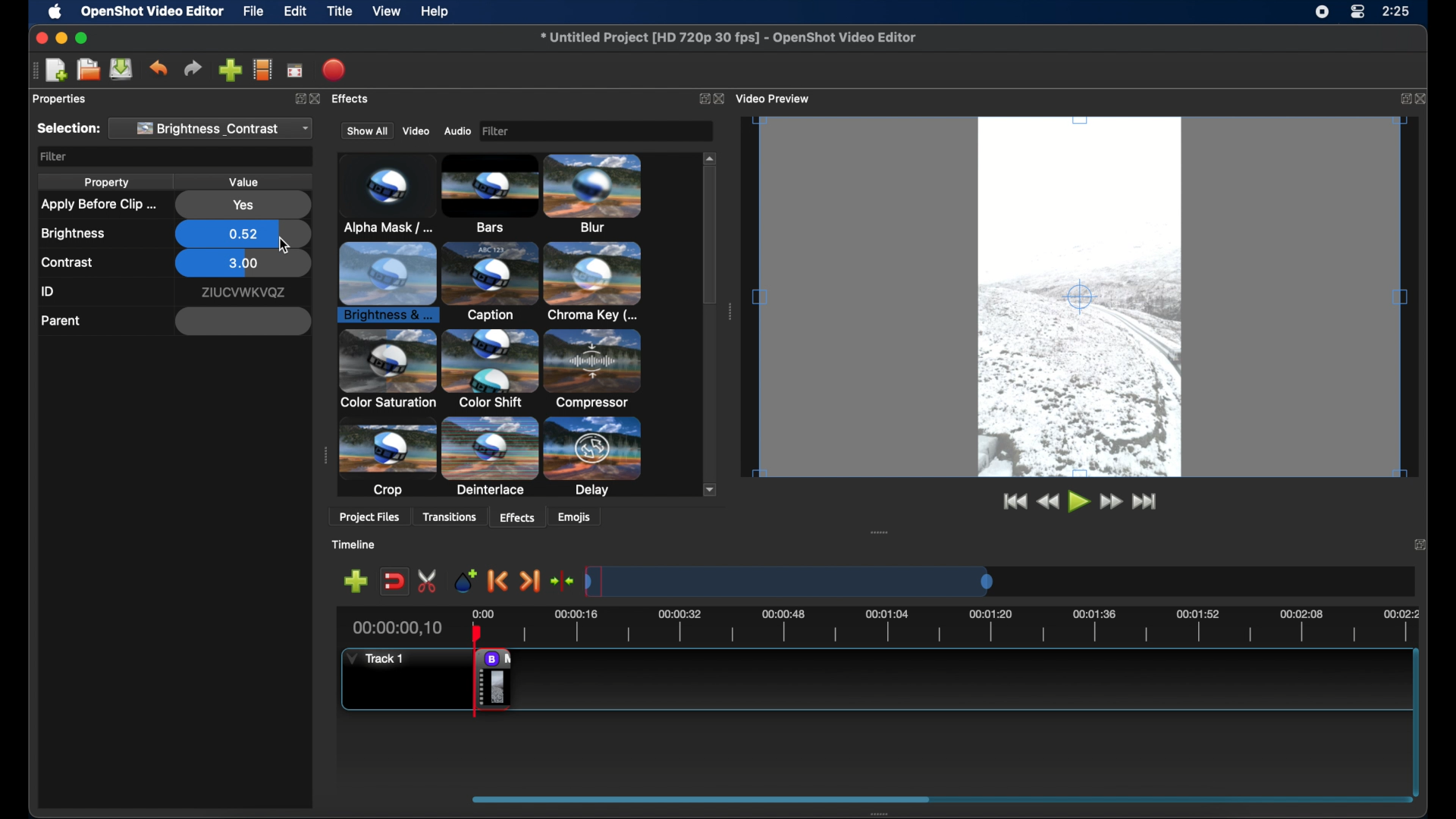 Image resolution: width=1456 pixels, height=819 pixels. I want to click on import files, so click(229, 70).